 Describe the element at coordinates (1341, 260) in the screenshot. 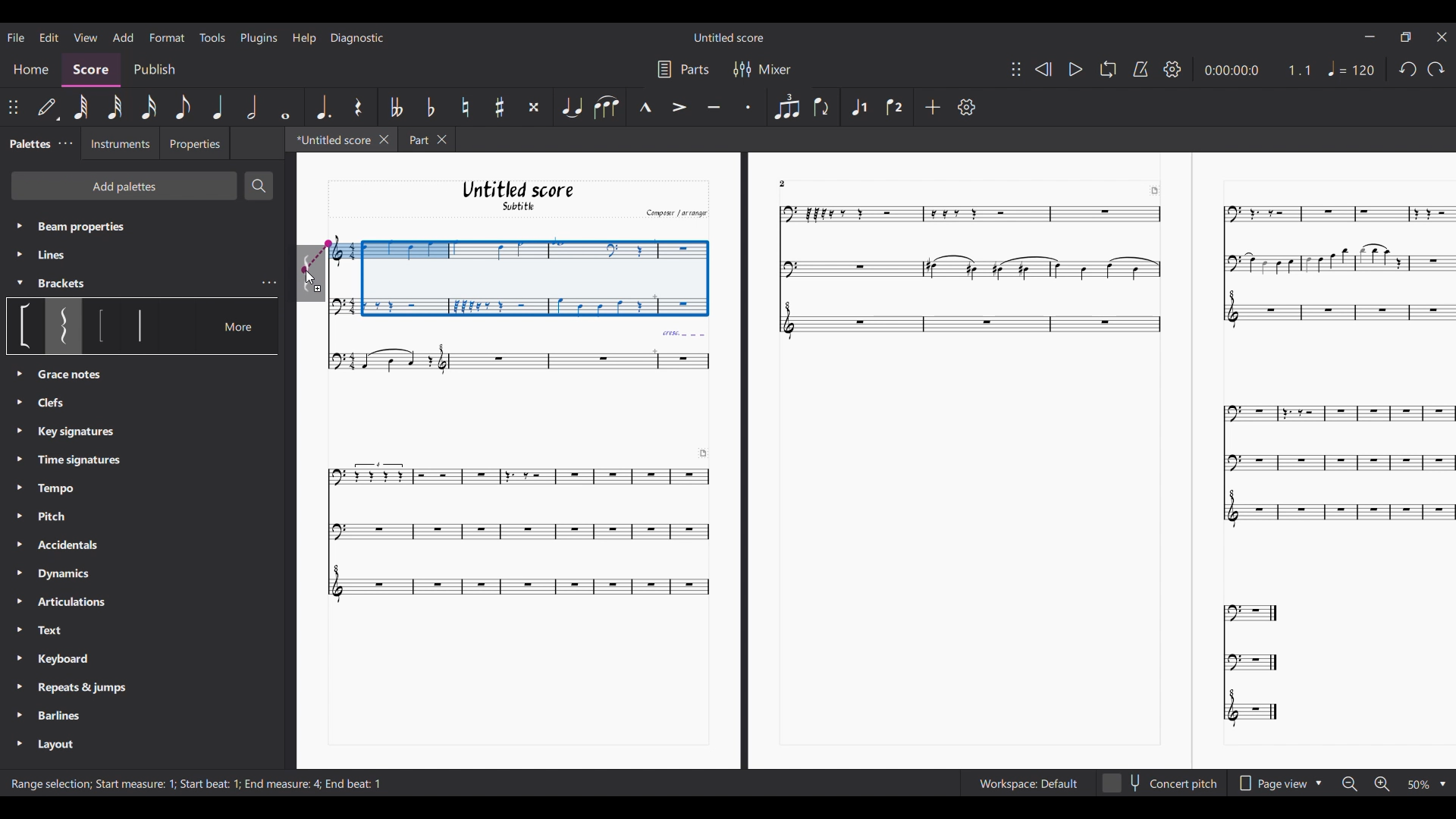

I see `` at that location.